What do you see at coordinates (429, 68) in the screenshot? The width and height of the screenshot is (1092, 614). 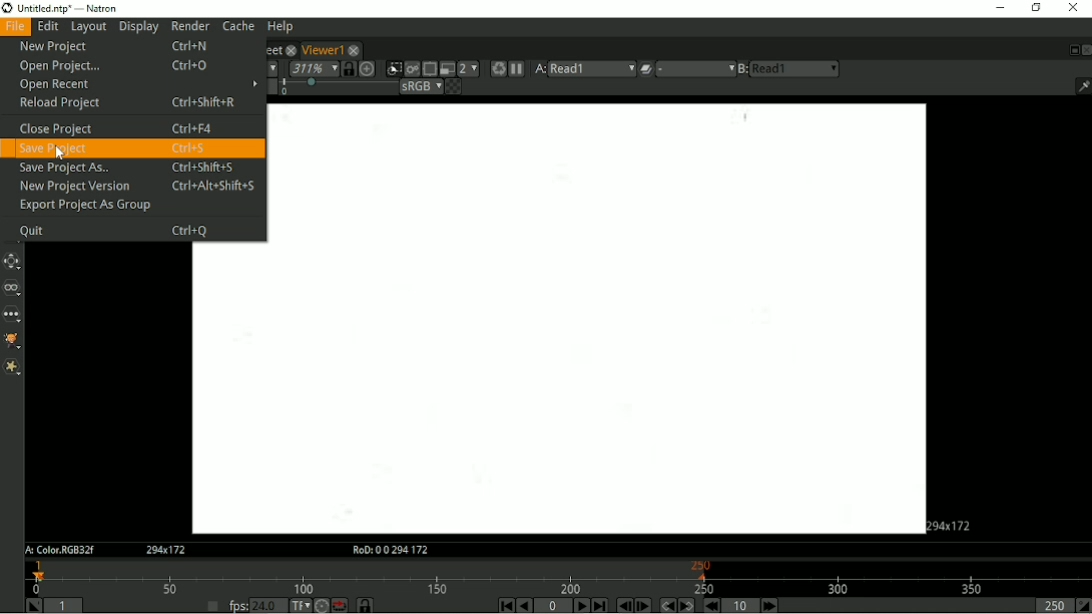 I see `Enables region of interest that limits the portion of the viewer that is kept udpdated ` at bounding box center [429, 68].